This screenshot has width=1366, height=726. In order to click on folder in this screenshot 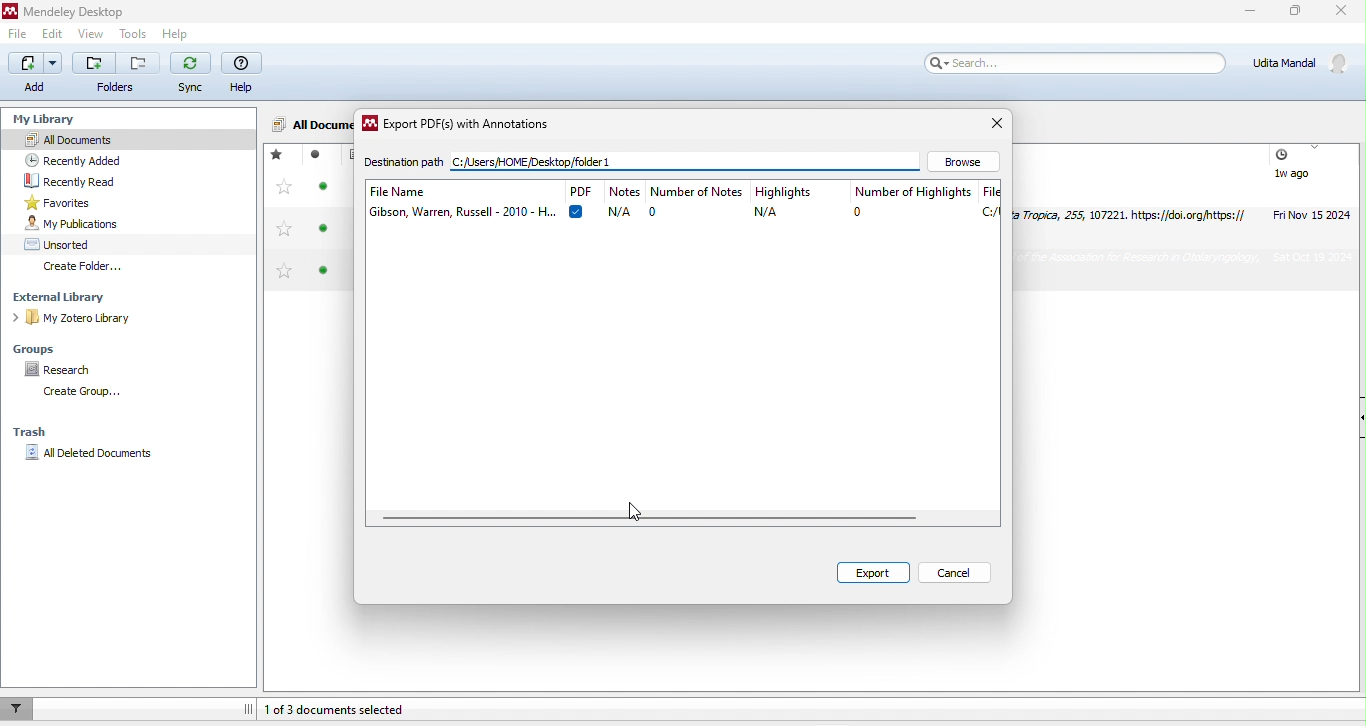, I will do `click(117, 73)`.